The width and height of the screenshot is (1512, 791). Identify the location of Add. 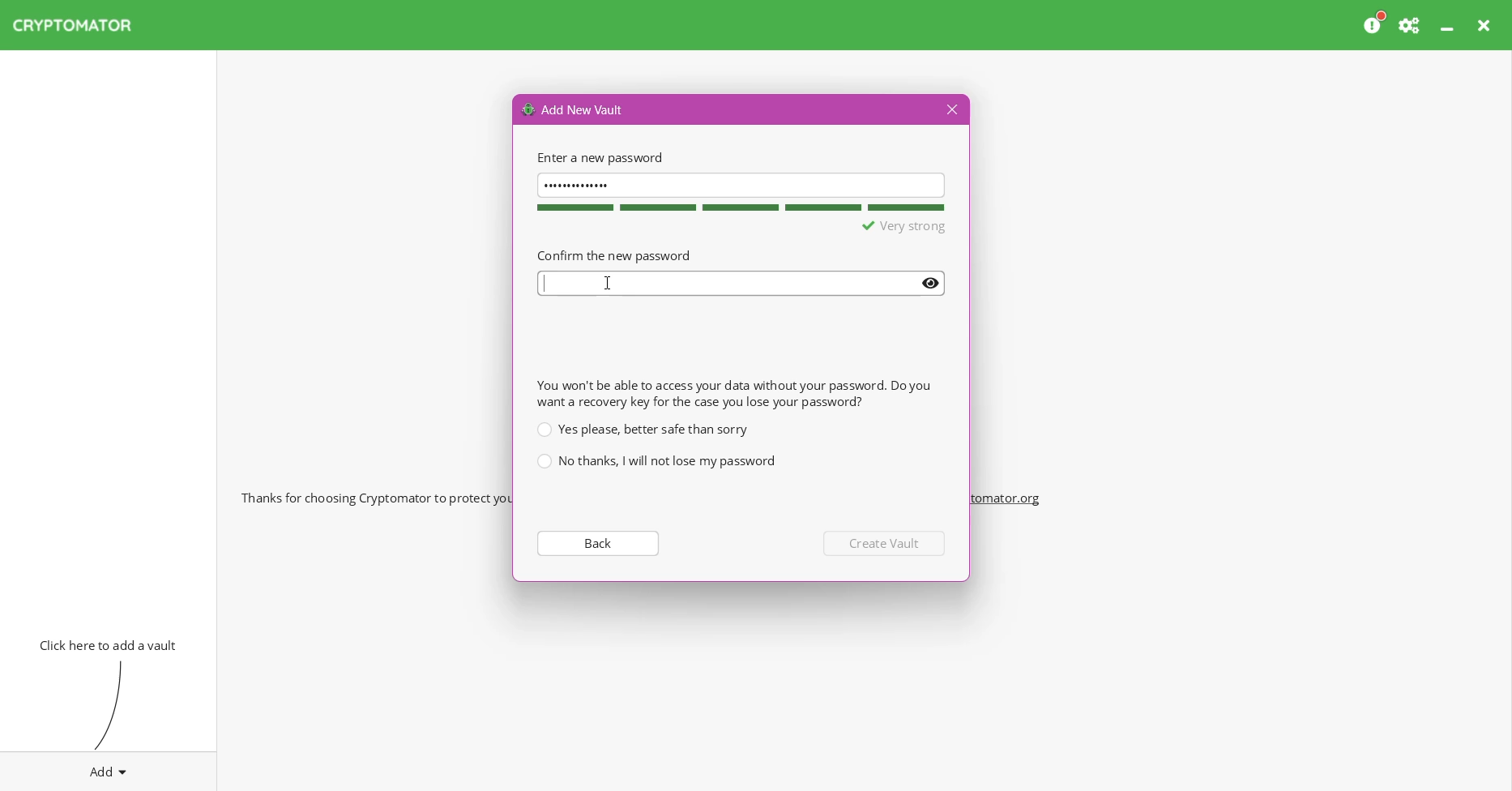
(109, 768).